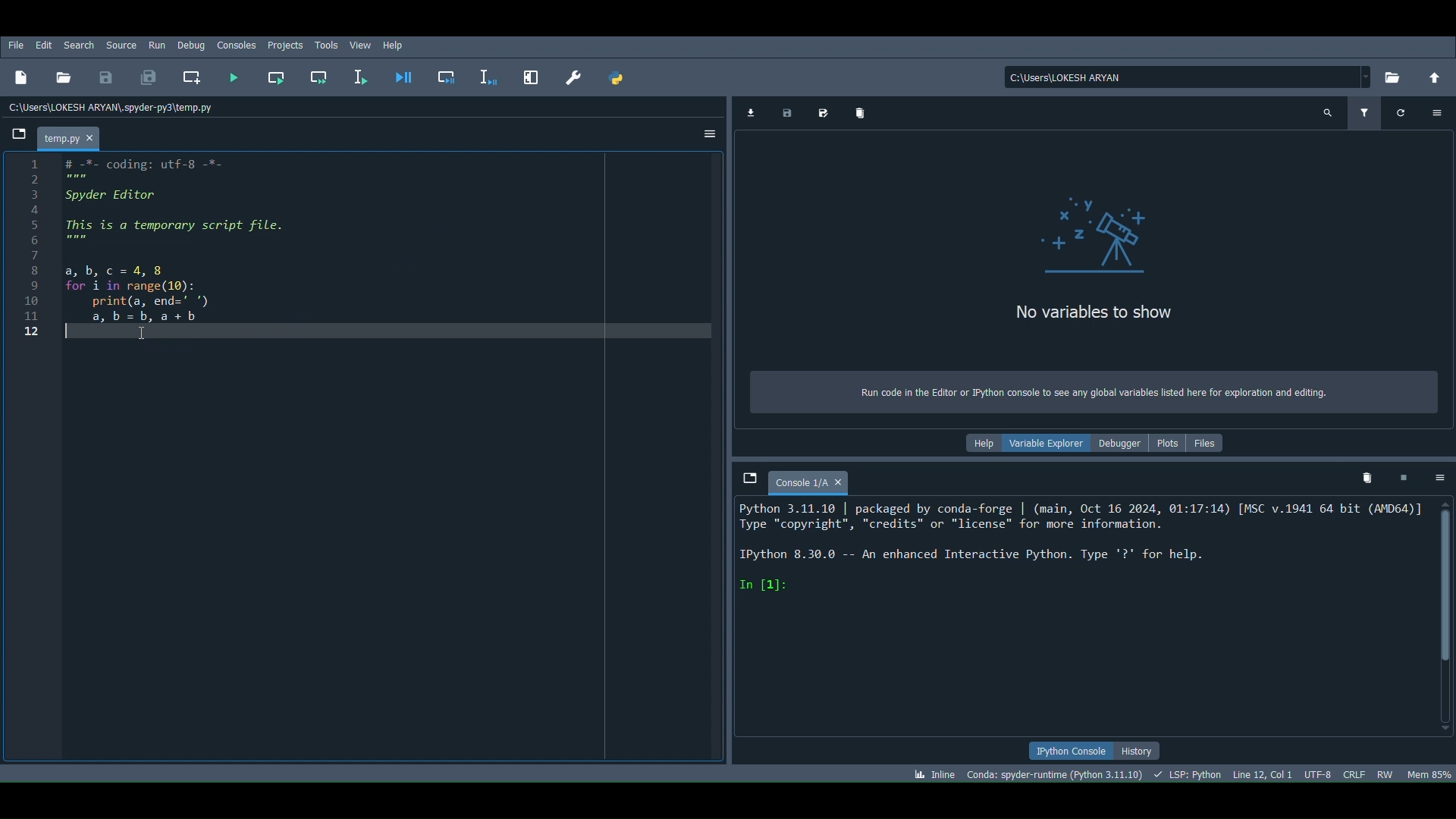 The image size is (1456, 819). What do you see at coordinates (623, 79) in the screenshot?
I see `PYTHONPATH manager` at bounding box center [623, 79].